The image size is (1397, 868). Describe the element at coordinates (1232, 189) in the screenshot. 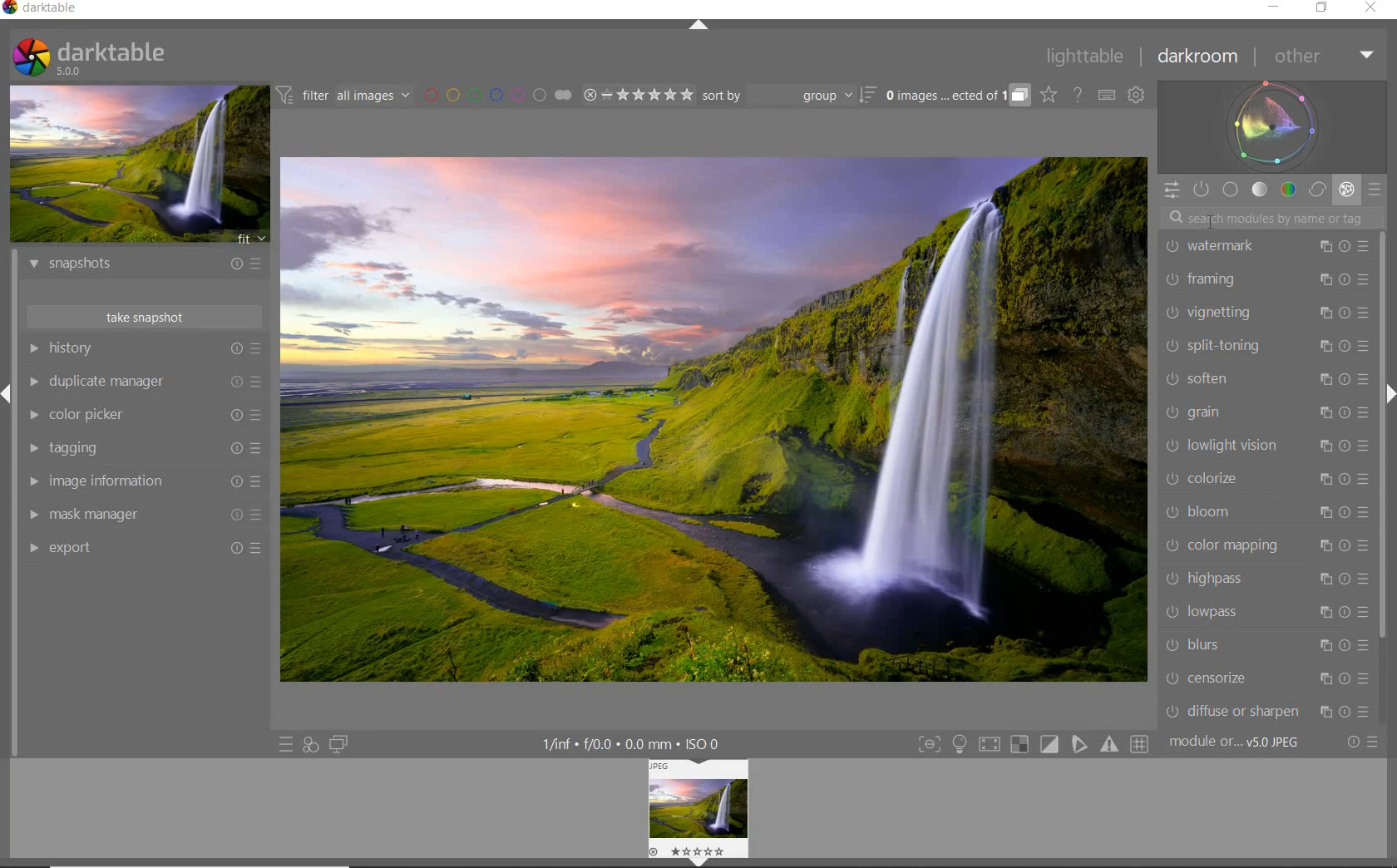

I see `base` at that location.